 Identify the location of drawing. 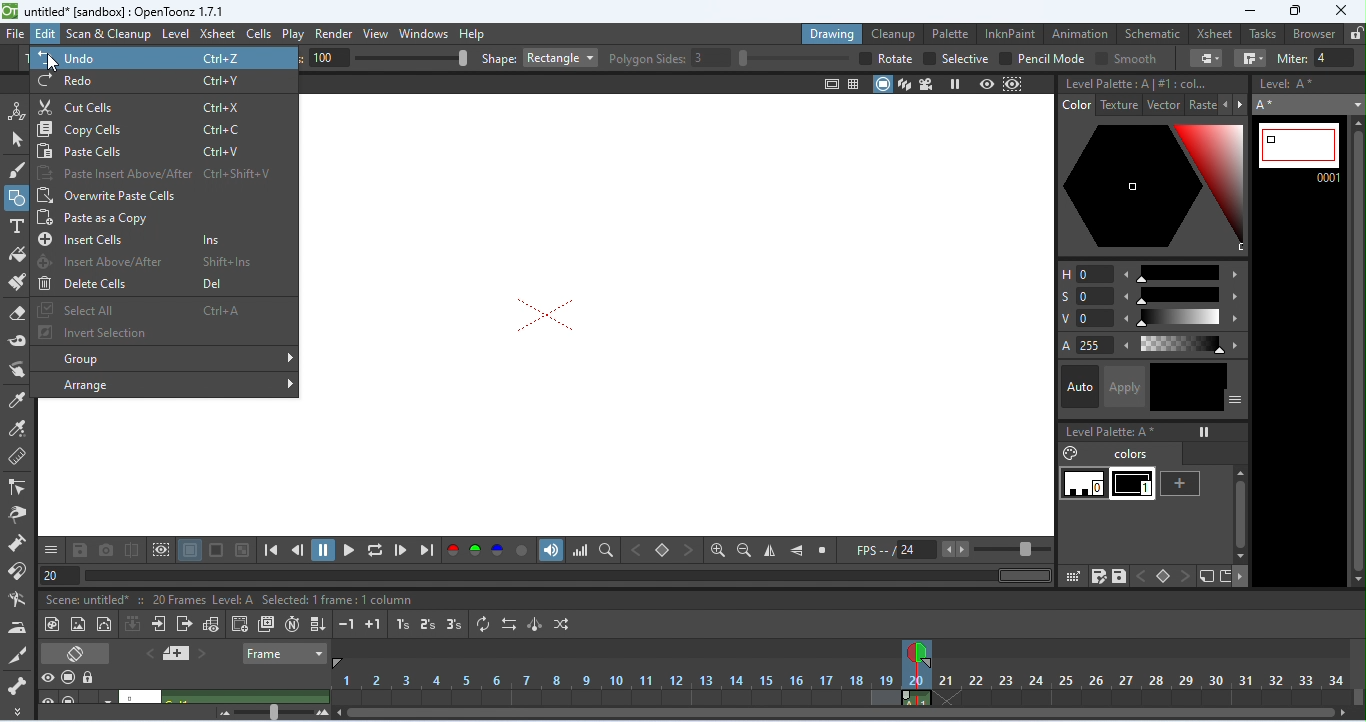
(832, 34).